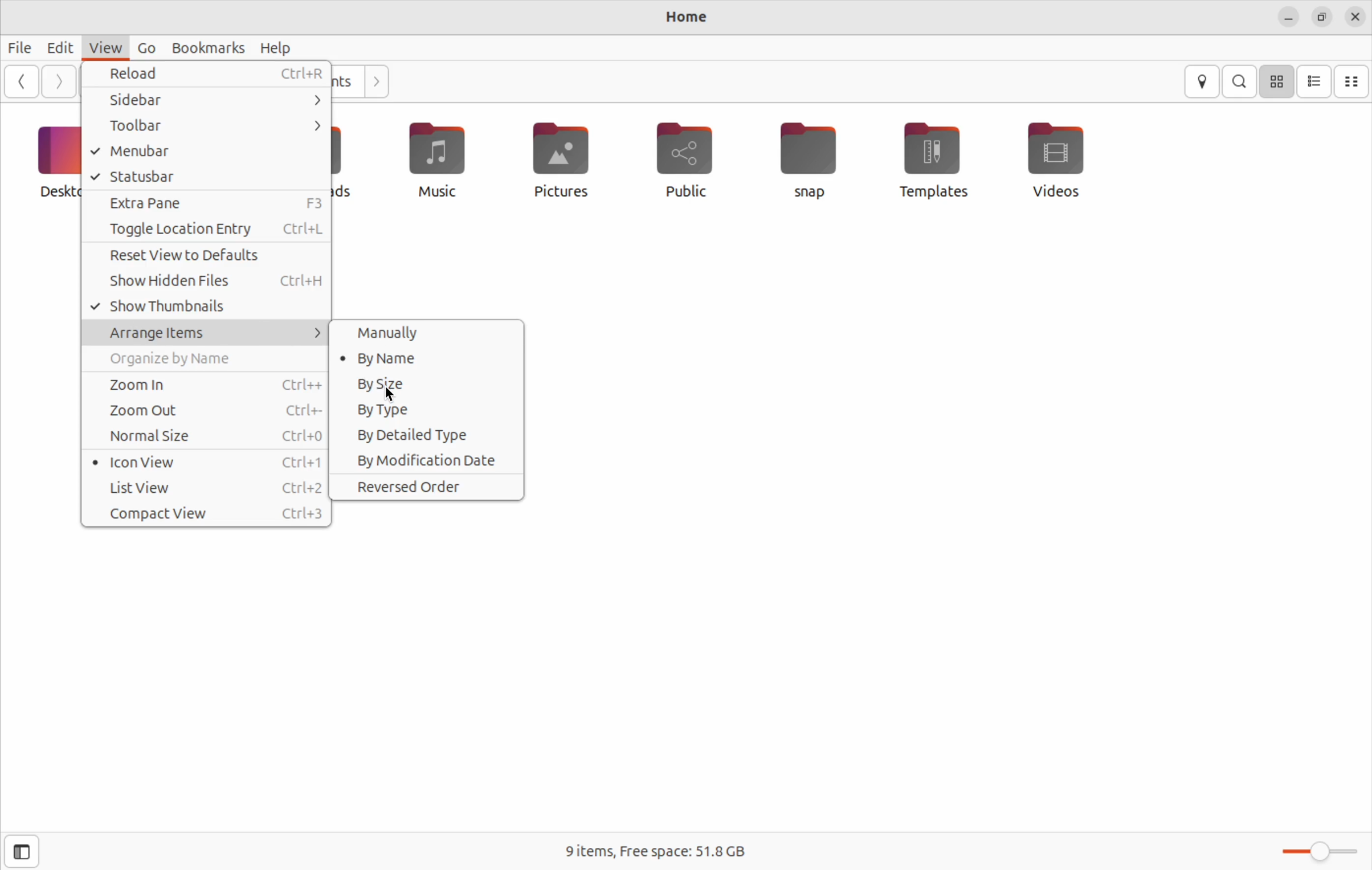  What do you see at coordinates (208, 126) in the screenshot?
I see `toolbar` at bounding box center [208, 126].